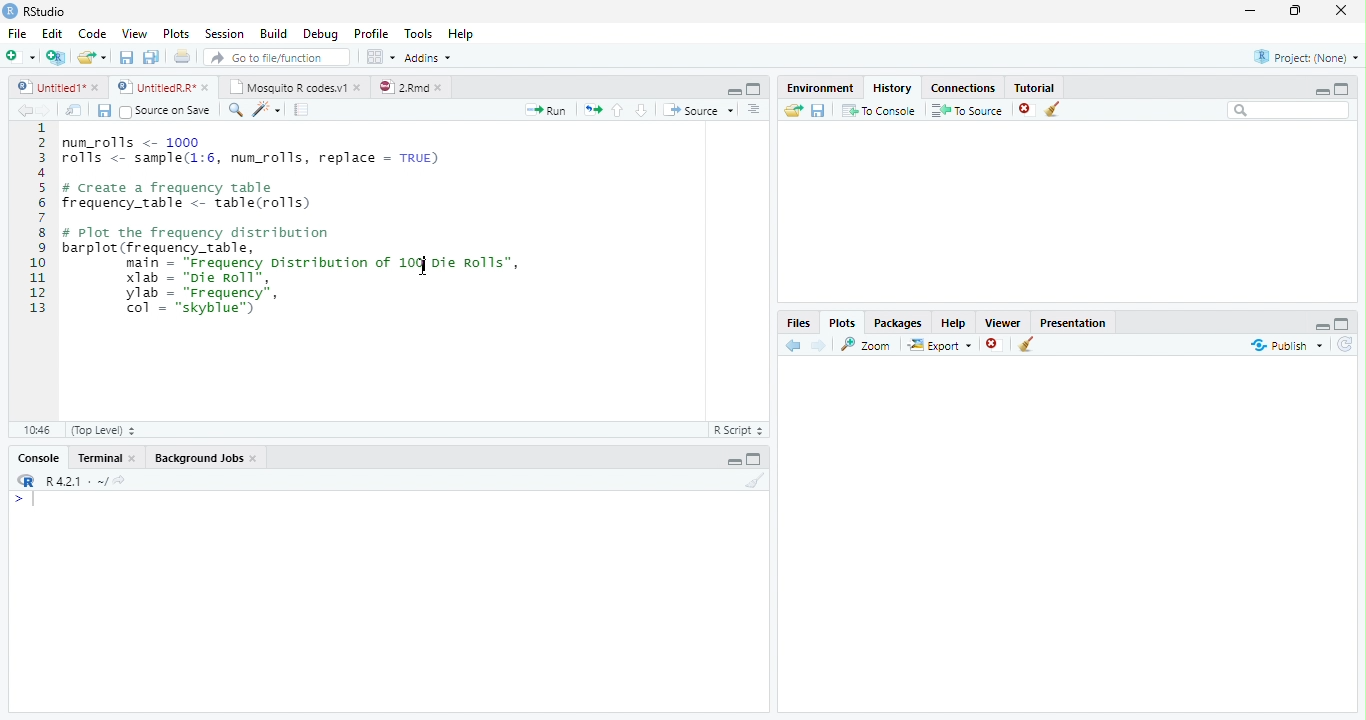 The image size is (1366, 720). Describe the element at coordinates (94, 31) in the screenshot. I see `Code` at that location.